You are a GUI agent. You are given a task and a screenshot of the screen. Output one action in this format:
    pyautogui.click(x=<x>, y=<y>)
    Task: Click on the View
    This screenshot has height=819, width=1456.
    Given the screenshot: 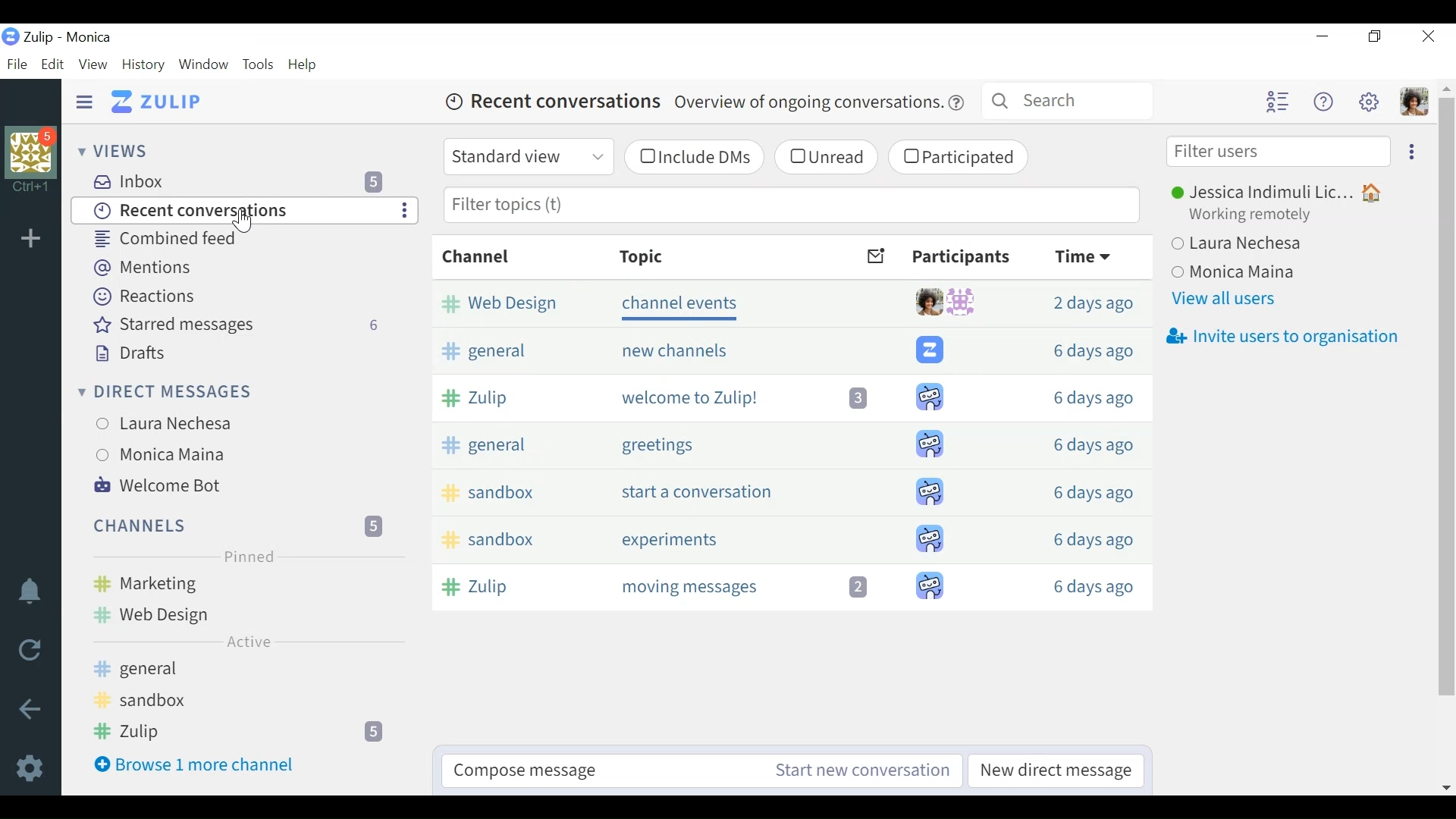 What is the action you would take?
    pyautogui.click(x=93, y=64)
    